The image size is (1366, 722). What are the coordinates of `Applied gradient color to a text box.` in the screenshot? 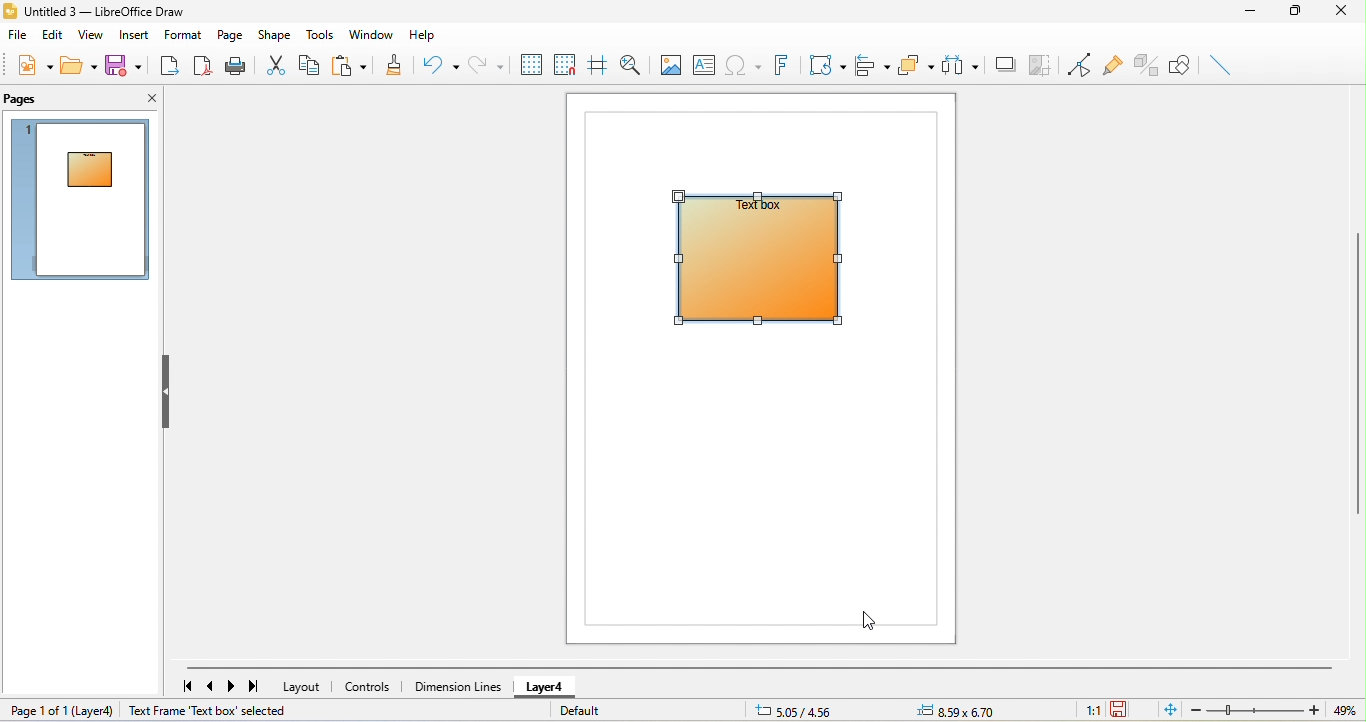 It's located at (771, 261).